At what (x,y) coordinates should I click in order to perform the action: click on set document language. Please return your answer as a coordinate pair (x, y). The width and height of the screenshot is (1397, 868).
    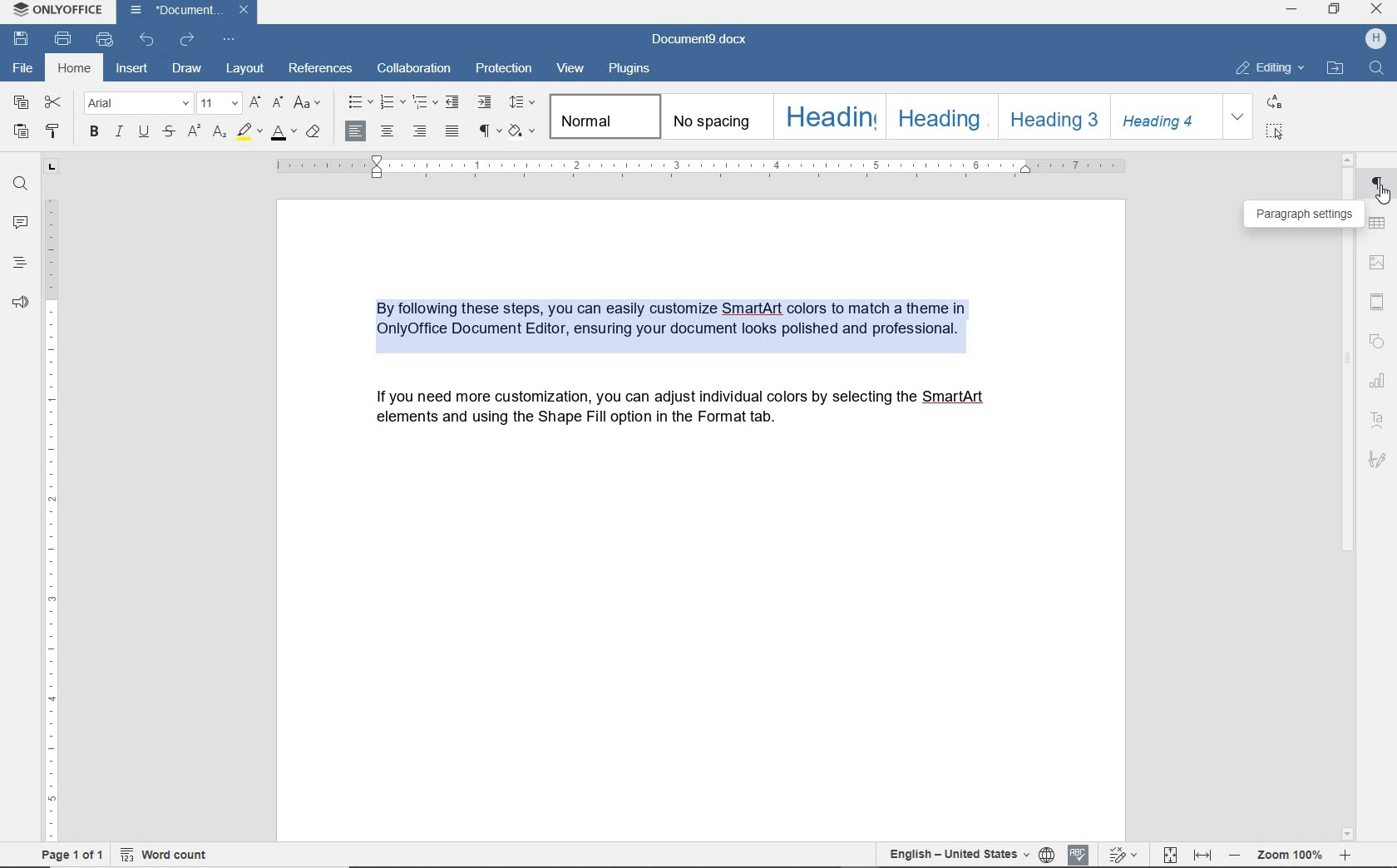
    Looking at the image, I should click on (1047, 852).